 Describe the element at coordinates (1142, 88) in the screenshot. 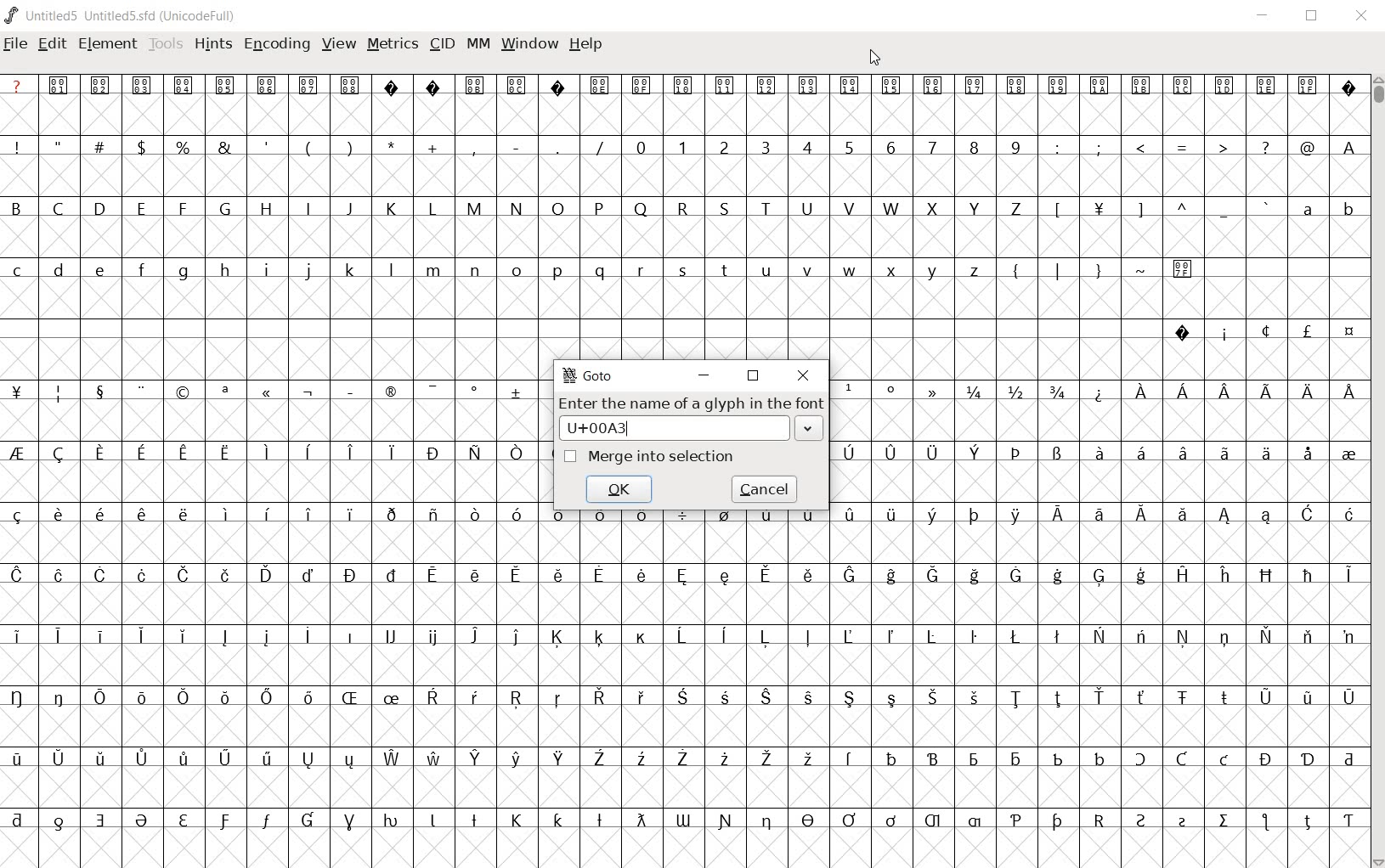

I see `Symbol` at that location.